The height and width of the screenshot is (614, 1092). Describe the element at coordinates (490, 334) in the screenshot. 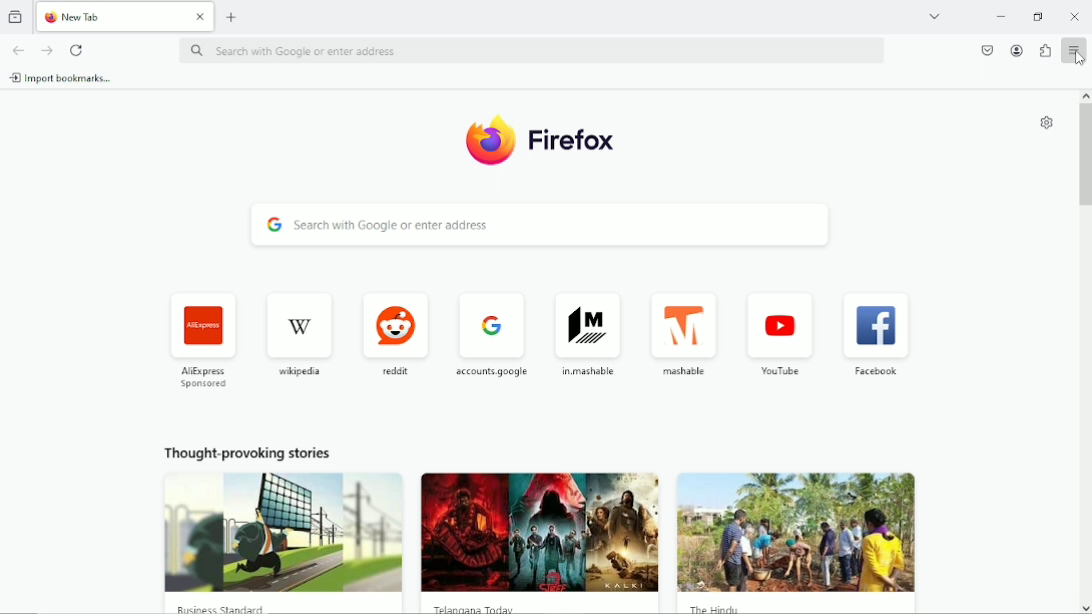

I see `accounts google` at that location.